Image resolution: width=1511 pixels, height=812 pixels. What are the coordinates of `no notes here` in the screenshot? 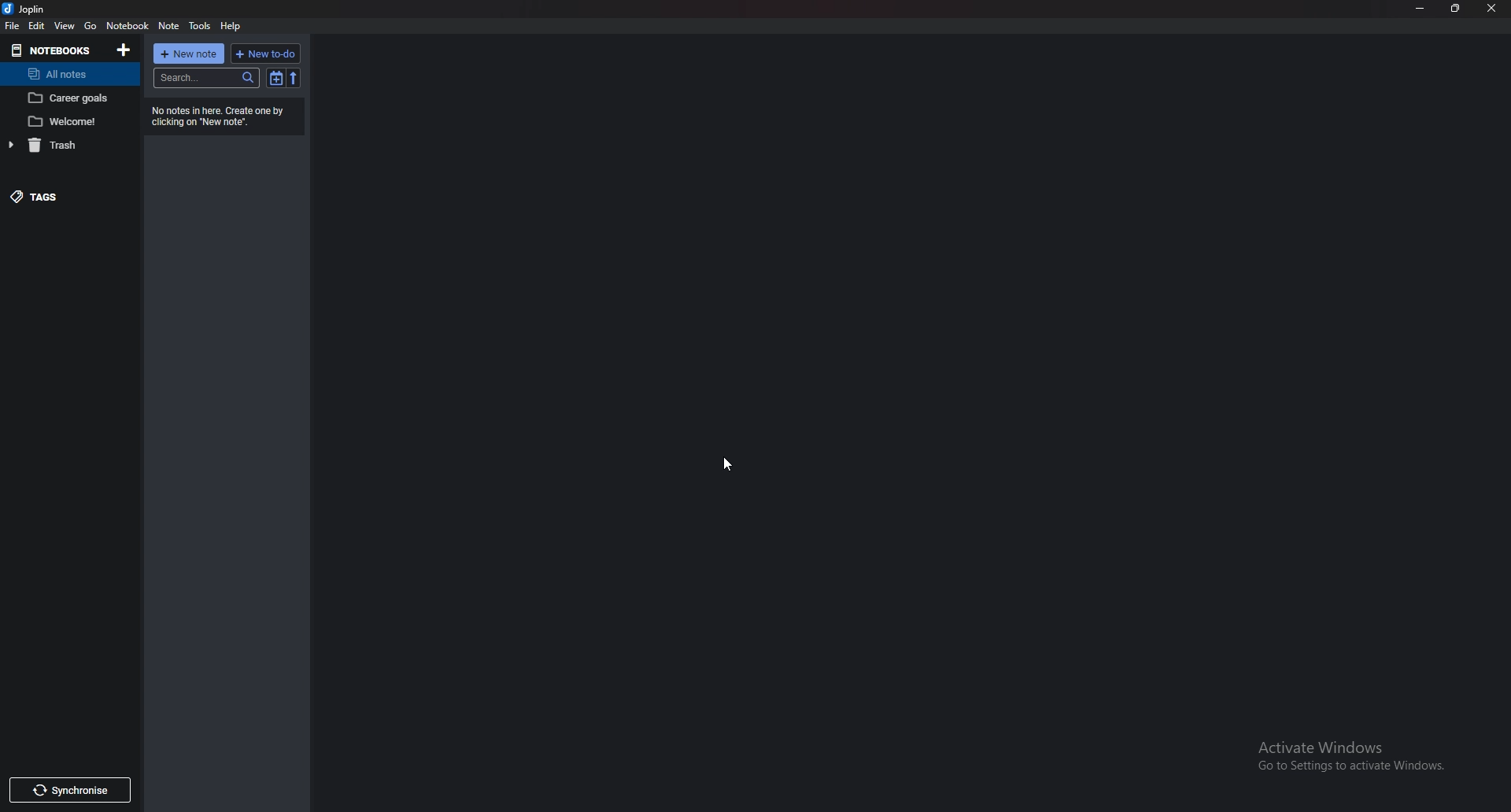 It's located at (227, 116).